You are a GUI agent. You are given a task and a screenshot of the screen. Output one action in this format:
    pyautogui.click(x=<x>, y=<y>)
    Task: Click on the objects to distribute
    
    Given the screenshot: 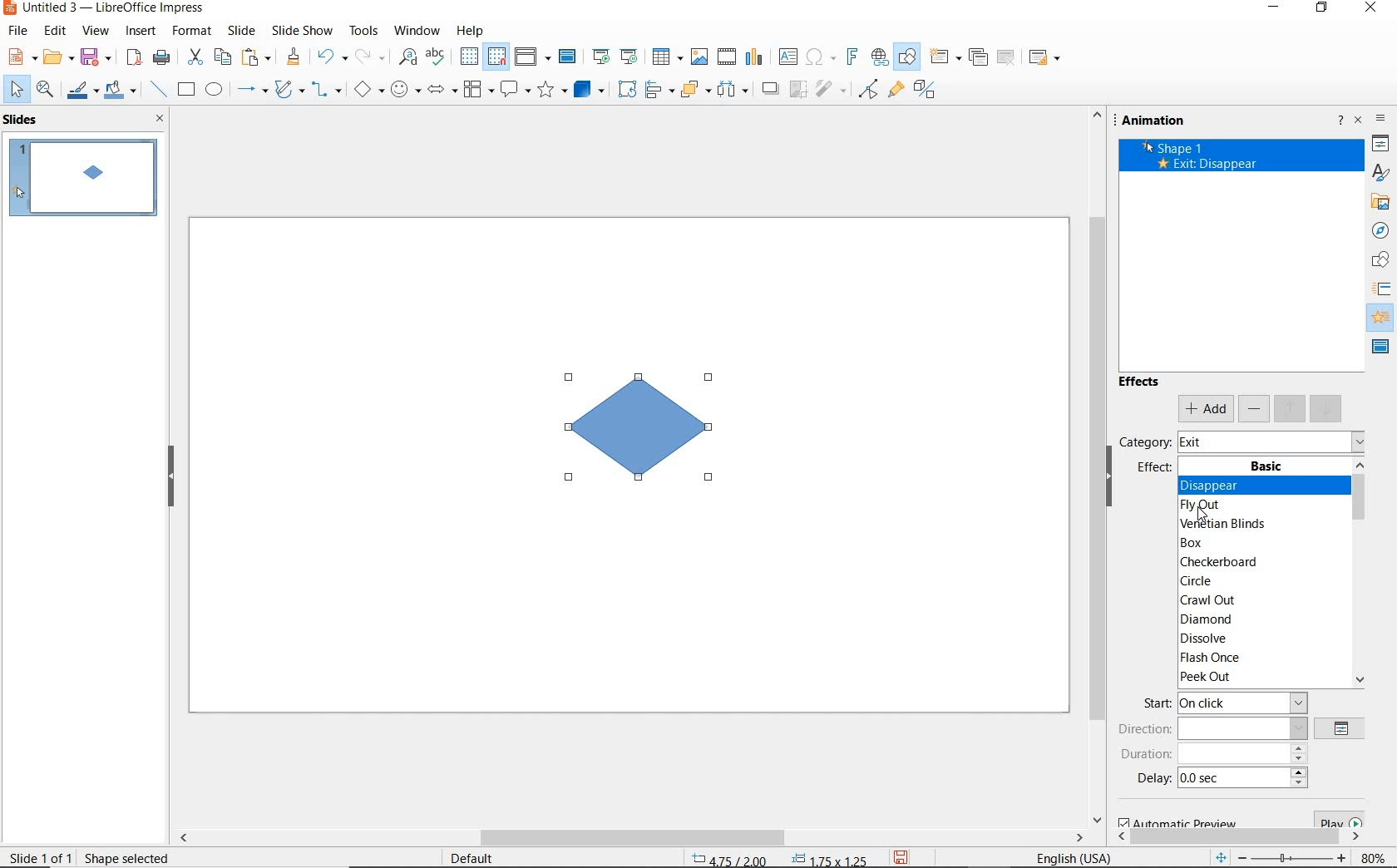 What is the action you would take?
    pyautogui.click(x=733, y=91)
    